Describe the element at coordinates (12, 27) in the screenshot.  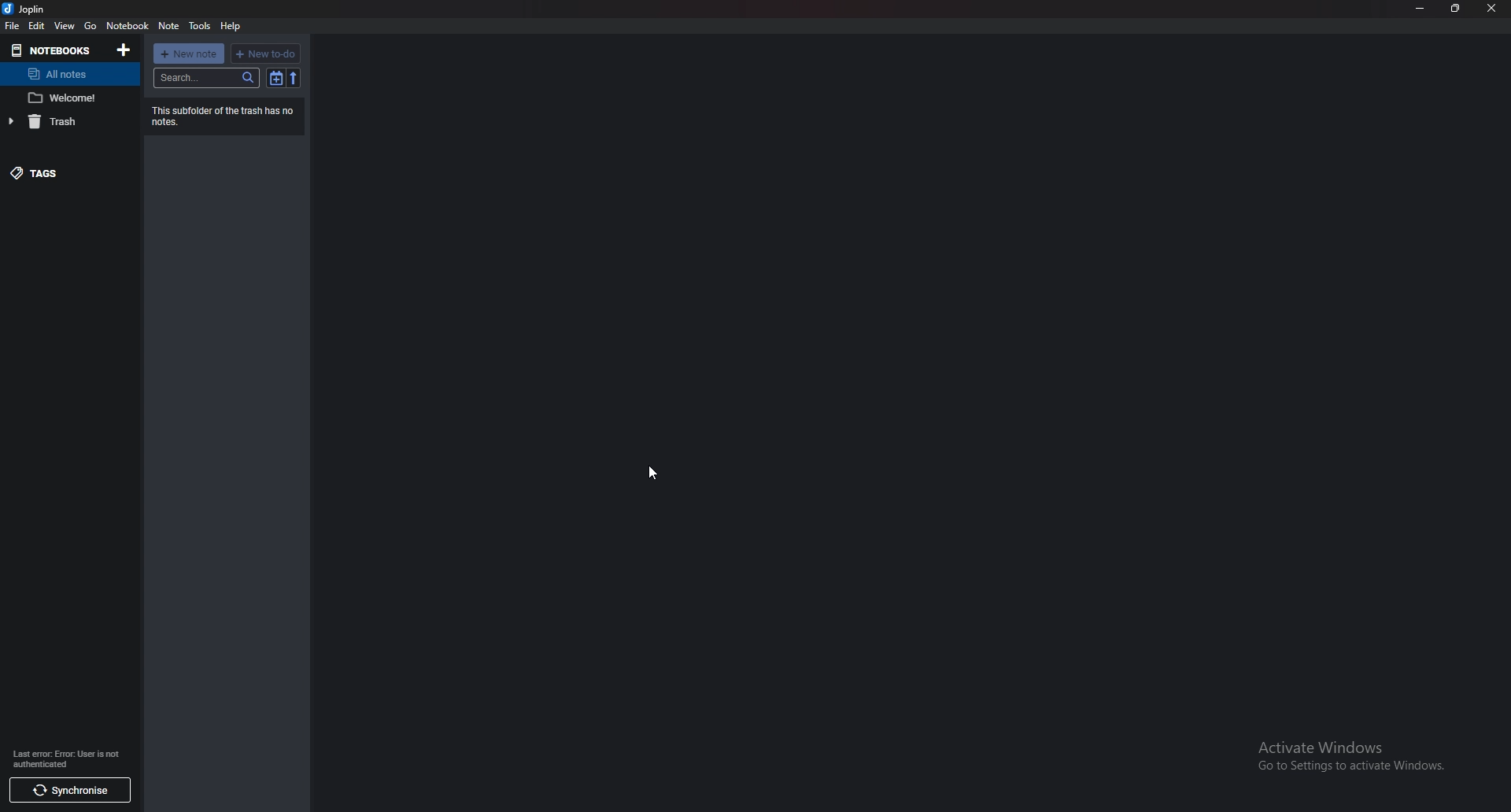
I see `file` at that location.